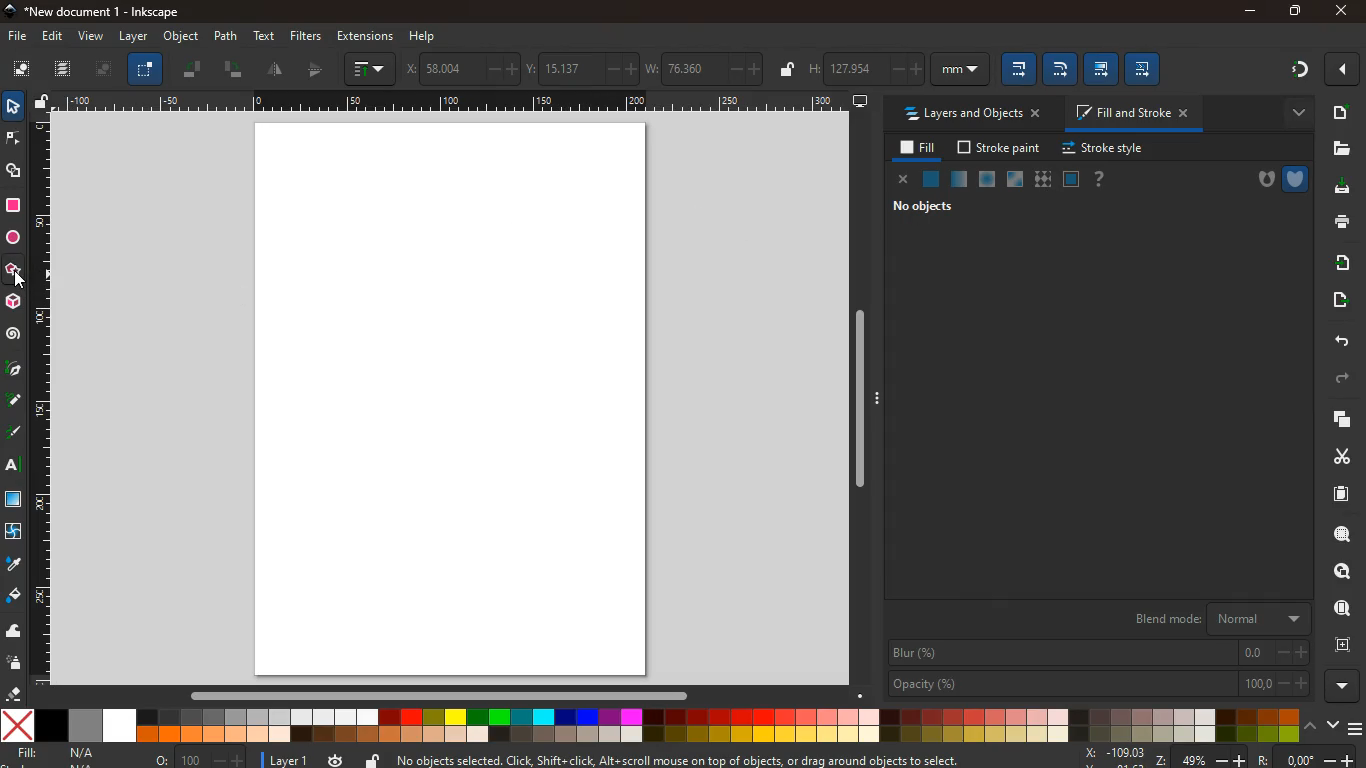 The width and height of the screenshot is (1366, 768). Describe the element at coordinates (293, 760) in the screenshot. I see `layer 1` at that location.